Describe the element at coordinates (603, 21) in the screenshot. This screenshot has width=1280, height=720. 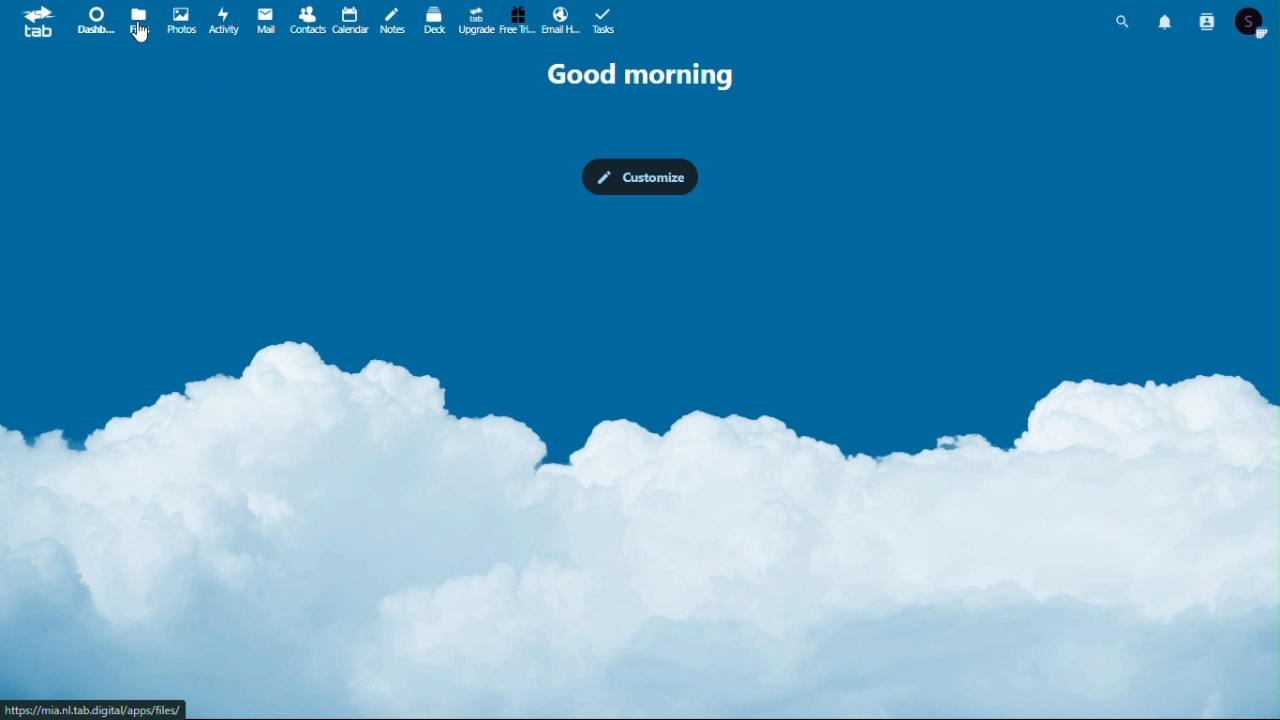
I see `tasks` at that location.